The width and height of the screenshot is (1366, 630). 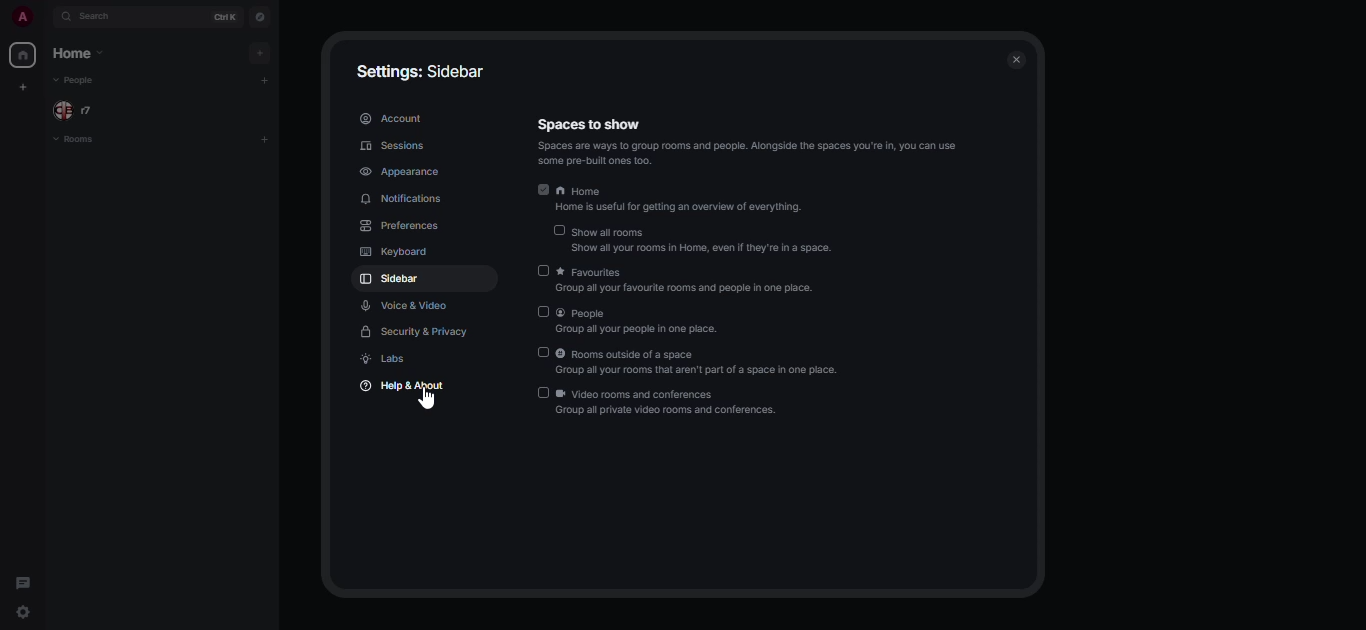 What do you see at coordinates (658, 402) in the screenshot?
I see `Video rooms and conferences group all private video rooms and conferences.` at bounding box center [658, 402].